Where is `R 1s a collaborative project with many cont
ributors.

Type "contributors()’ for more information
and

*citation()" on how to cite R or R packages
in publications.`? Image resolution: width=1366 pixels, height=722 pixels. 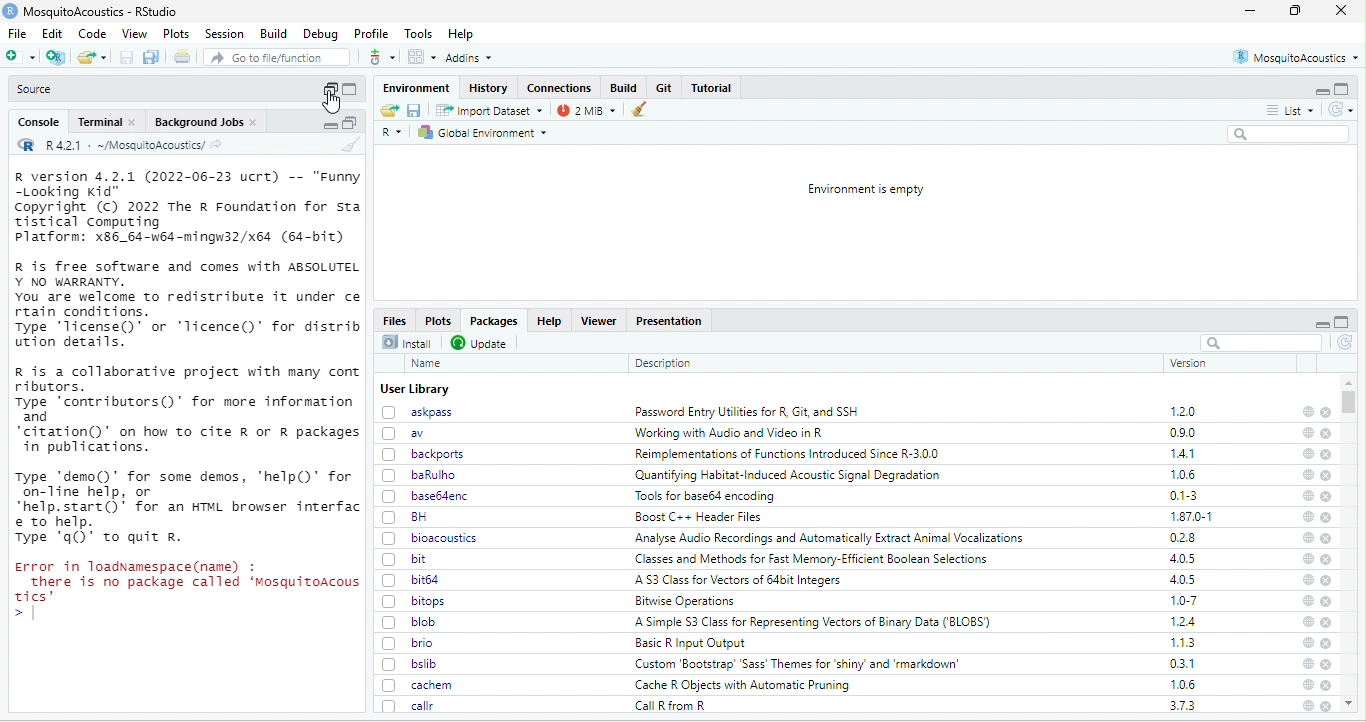 R 1s a collaborative project with many cont
ributors.

Type "contributors()’ for more information
and

*citation()" on how to cite R or R packages
in publications. is located at coordinates (189, 410).